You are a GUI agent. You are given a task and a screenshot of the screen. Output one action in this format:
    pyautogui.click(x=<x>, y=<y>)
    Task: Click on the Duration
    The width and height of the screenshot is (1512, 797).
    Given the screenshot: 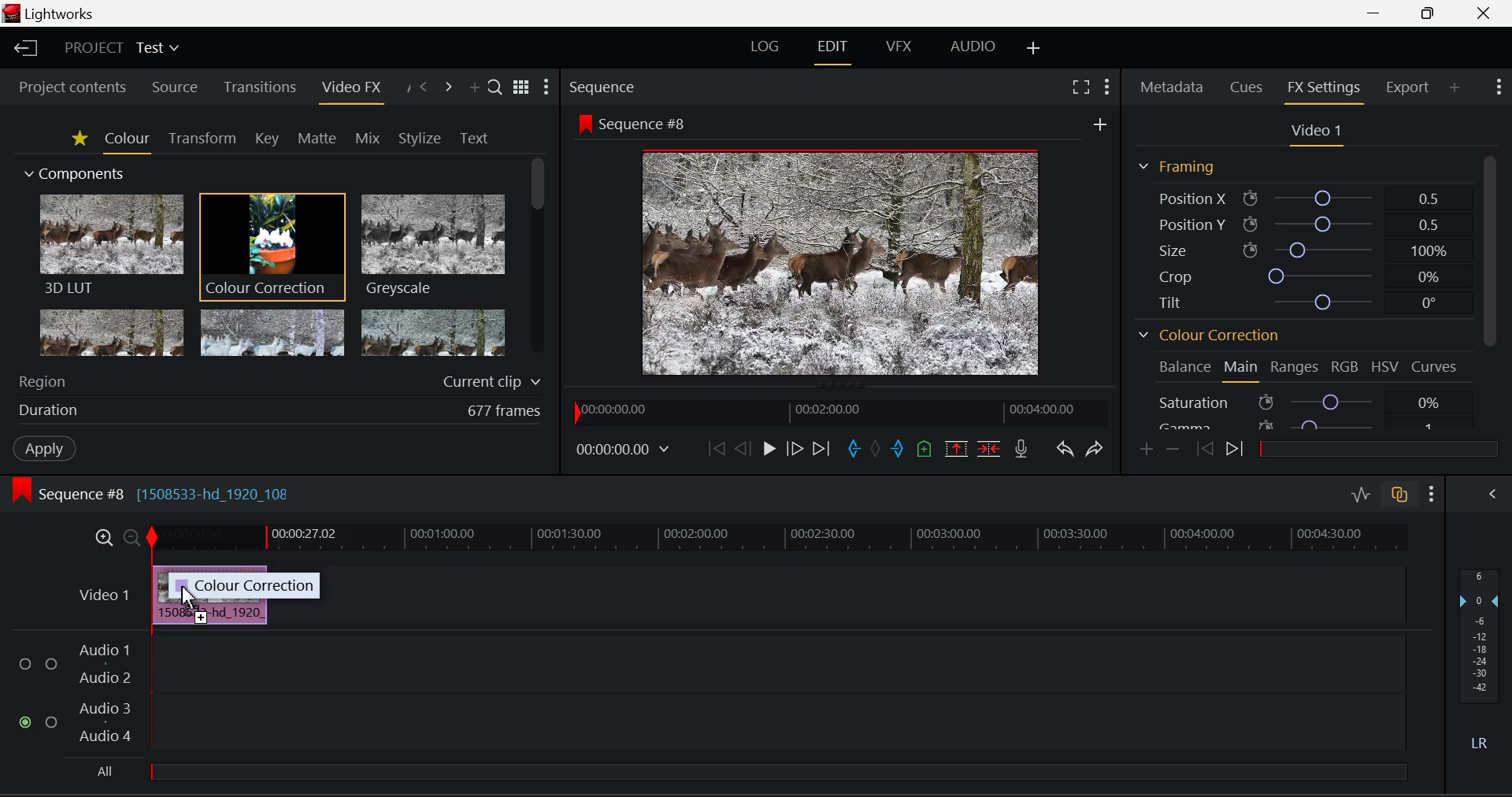 What is the action you would take?
    pyautogui.click(x=279, y=409)
    